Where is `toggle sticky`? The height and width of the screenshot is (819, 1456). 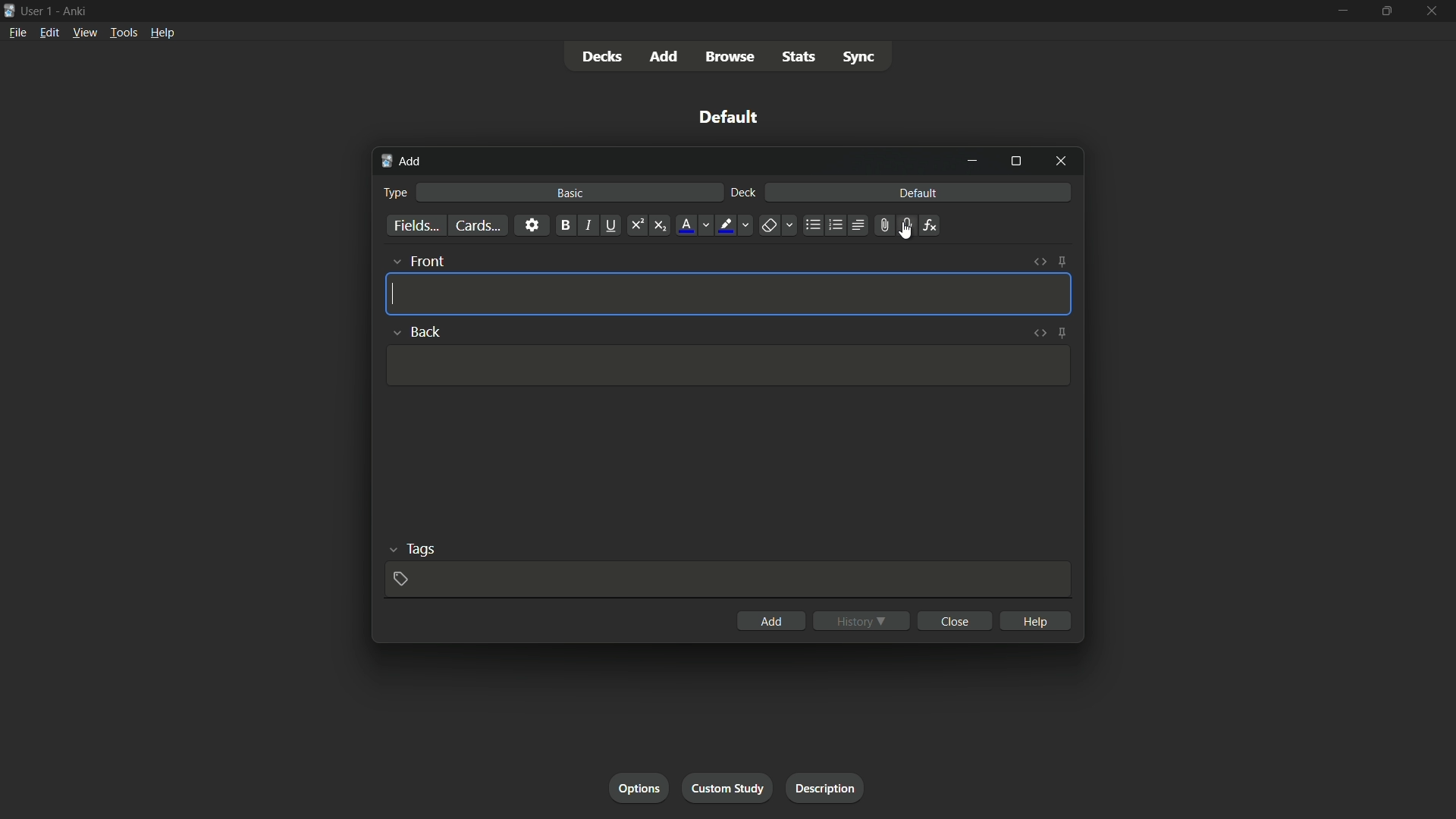
toggle sticky is located at coordinates (1062, 333).